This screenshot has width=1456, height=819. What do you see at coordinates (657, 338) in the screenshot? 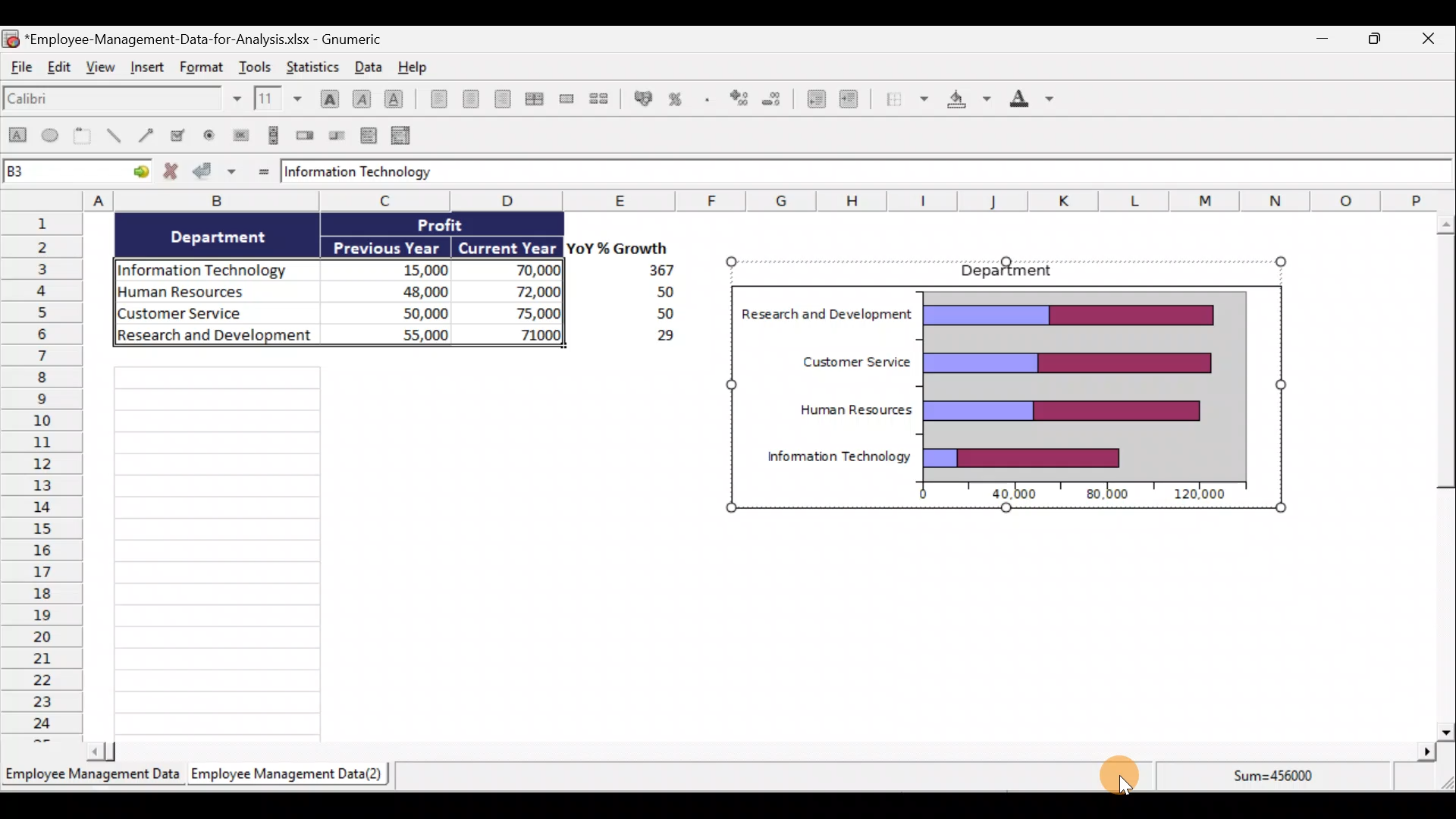
I see `29` at bounding box center [657, 338].